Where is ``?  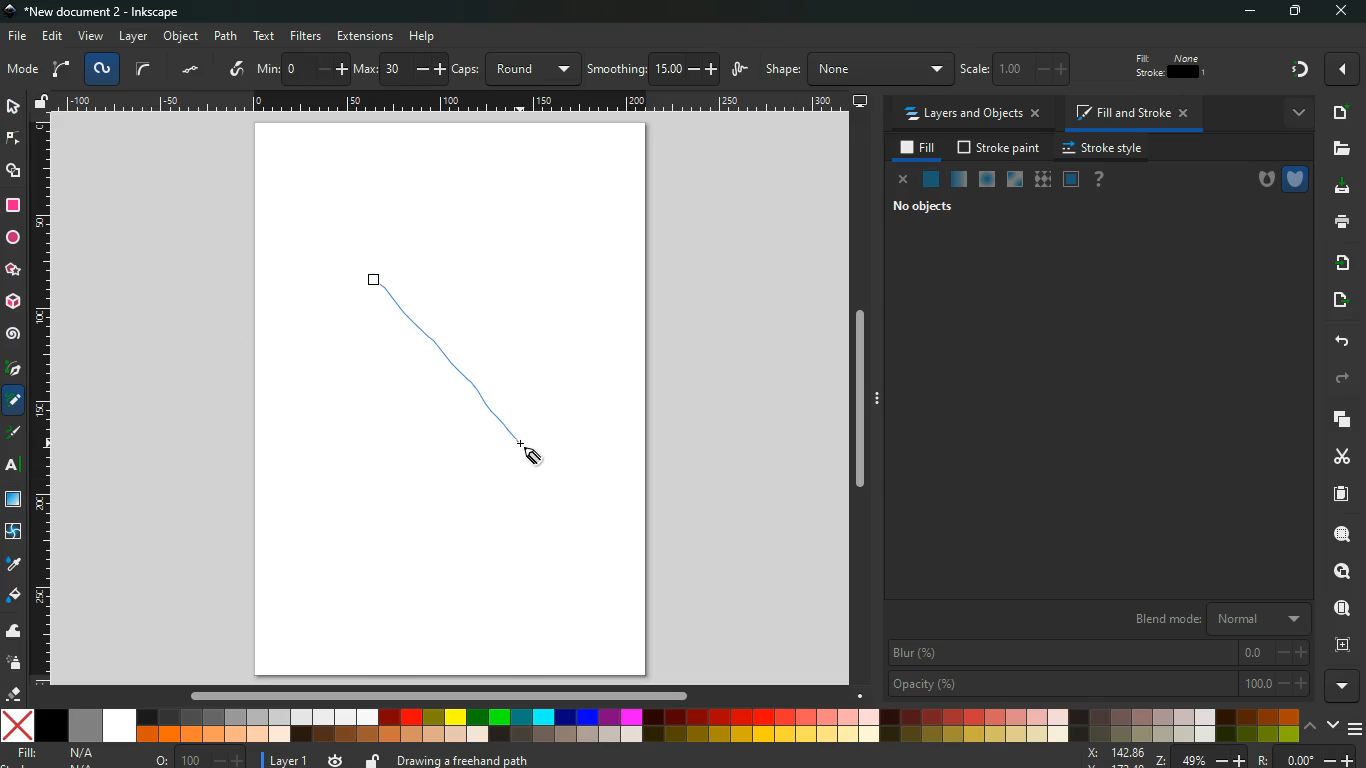
 is located at coordinates (1338, 71).